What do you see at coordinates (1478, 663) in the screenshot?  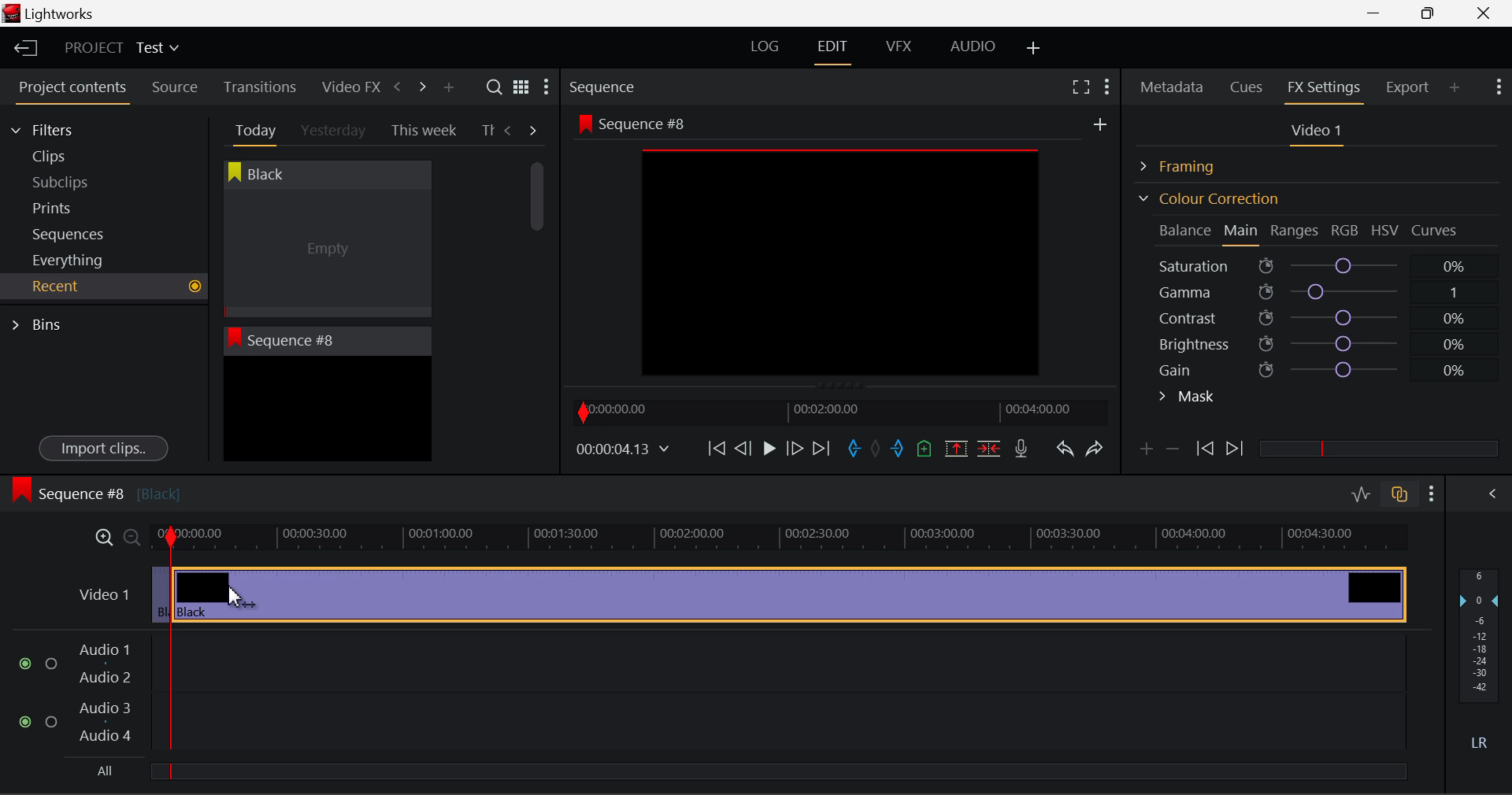 I see `Decibel Gain` at bounding box center [1478, 663].